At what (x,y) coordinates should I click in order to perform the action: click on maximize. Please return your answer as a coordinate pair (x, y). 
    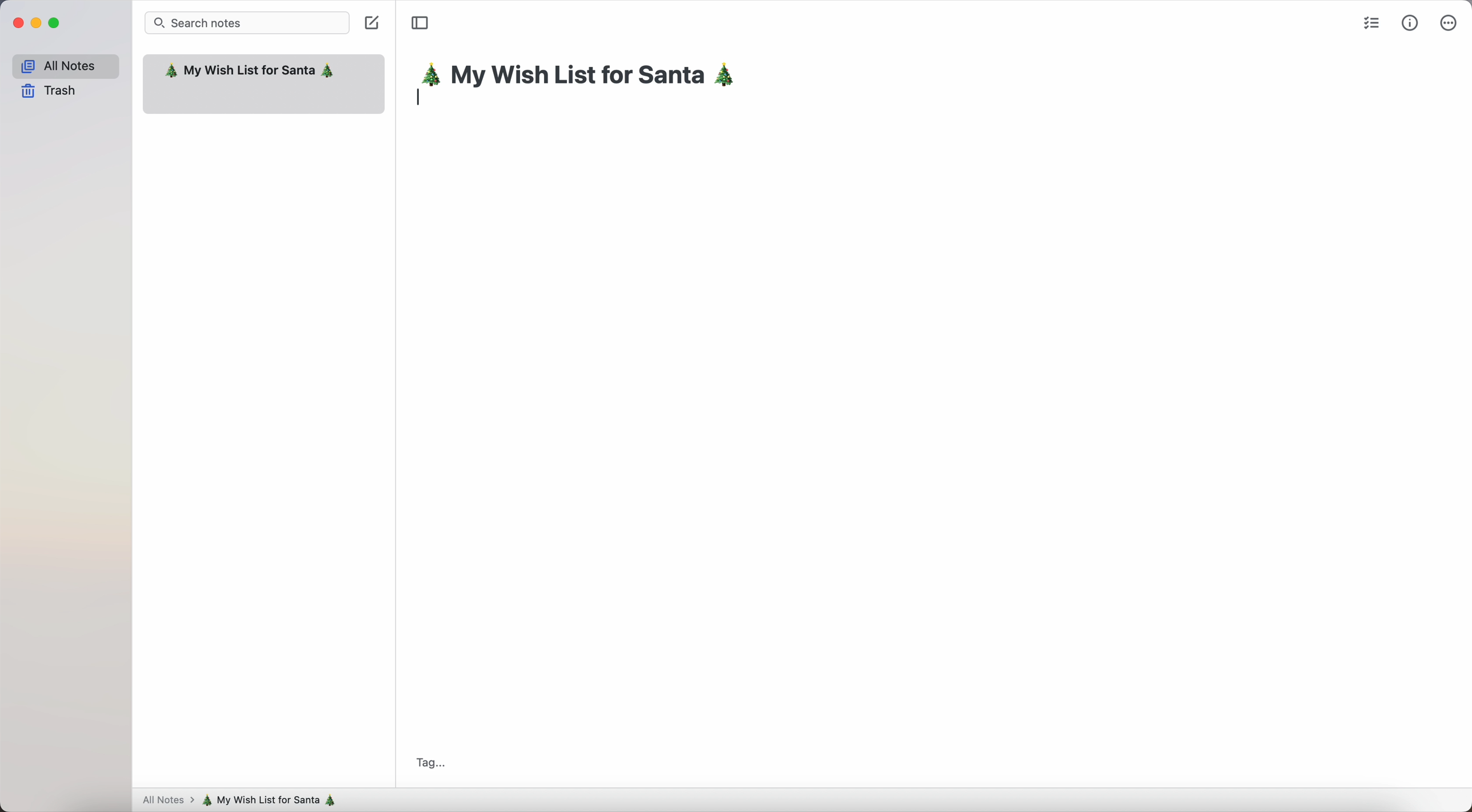
    Looking at the image, I should click on (56, 23).